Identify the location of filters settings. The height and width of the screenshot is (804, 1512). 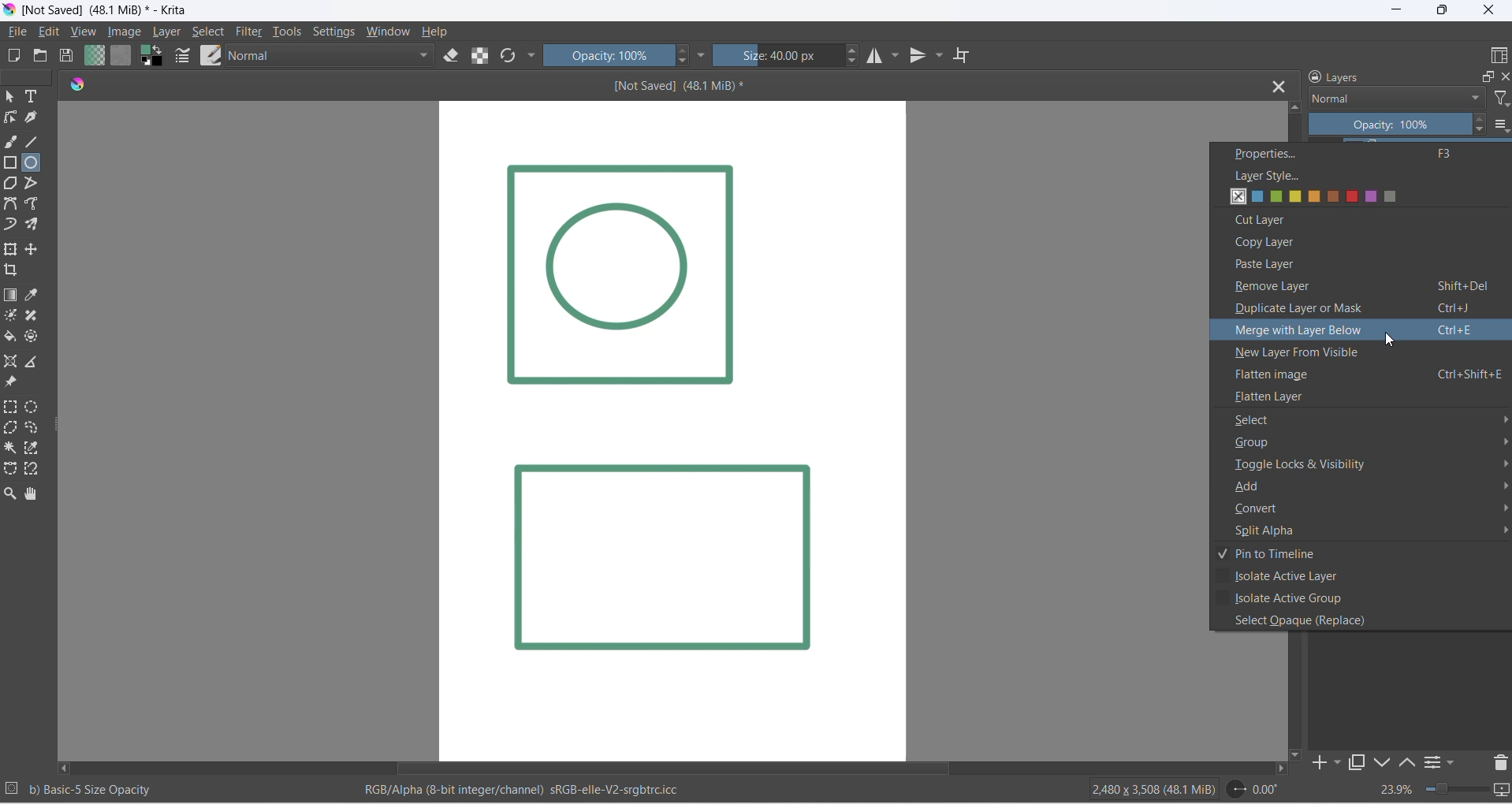
(1455, 761).